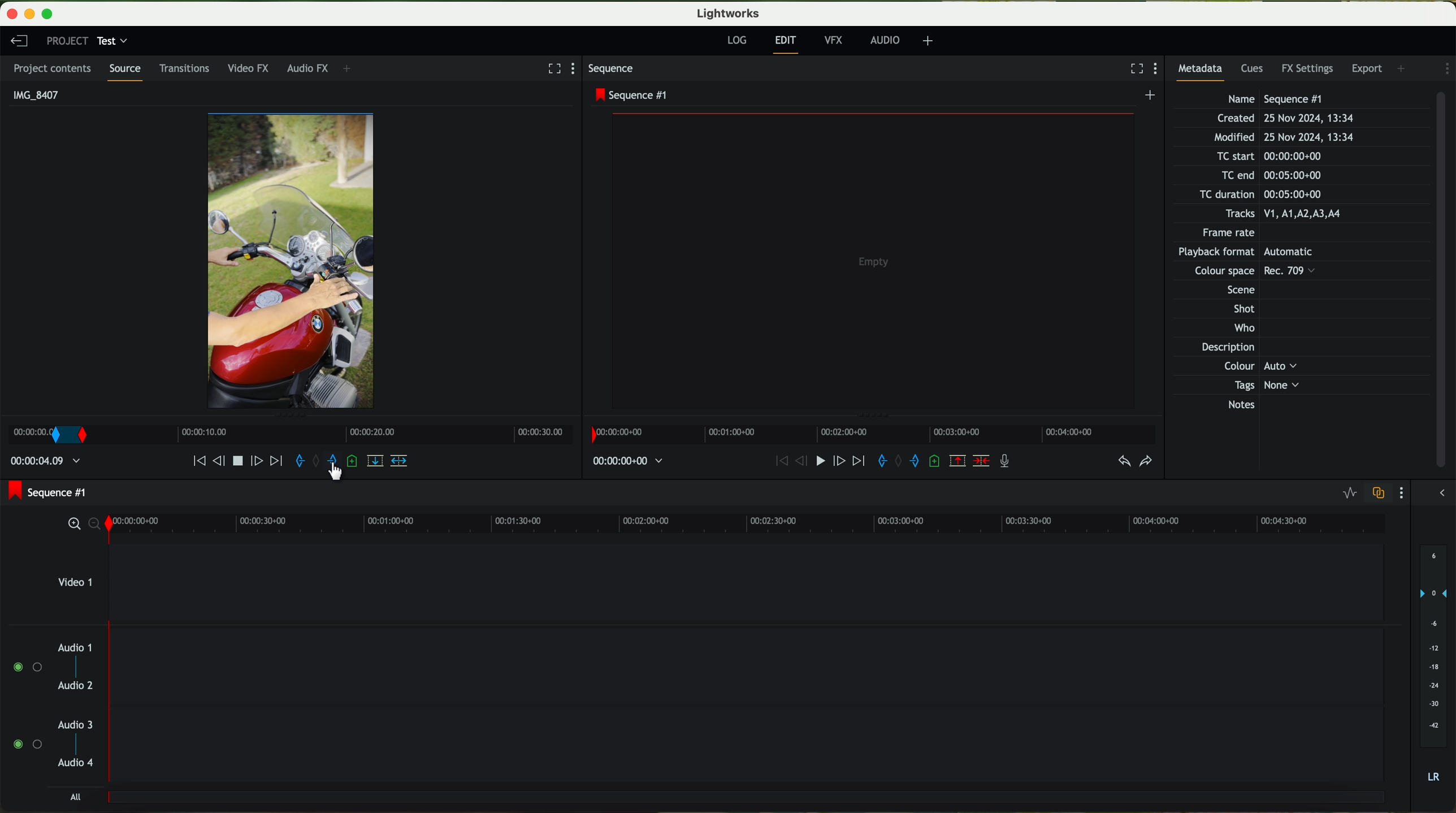 The width and height of the screenshot is (1456, 813). Describe the element at coordinates (1281, 214) in the screenshot. I see `Tracks` at that location.